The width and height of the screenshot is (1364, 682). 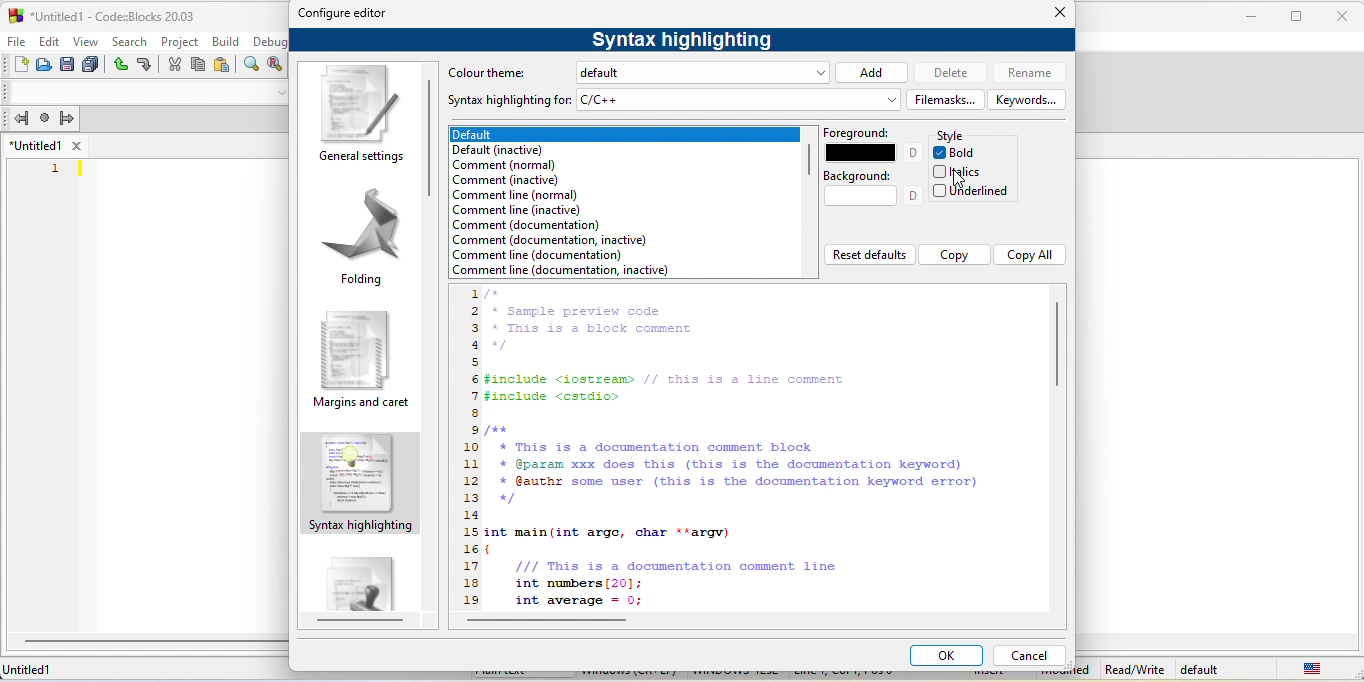 What do you see at coordinates (512, 166) in the screenshot?
I see `comment normal` at bounding box center [512, 166].